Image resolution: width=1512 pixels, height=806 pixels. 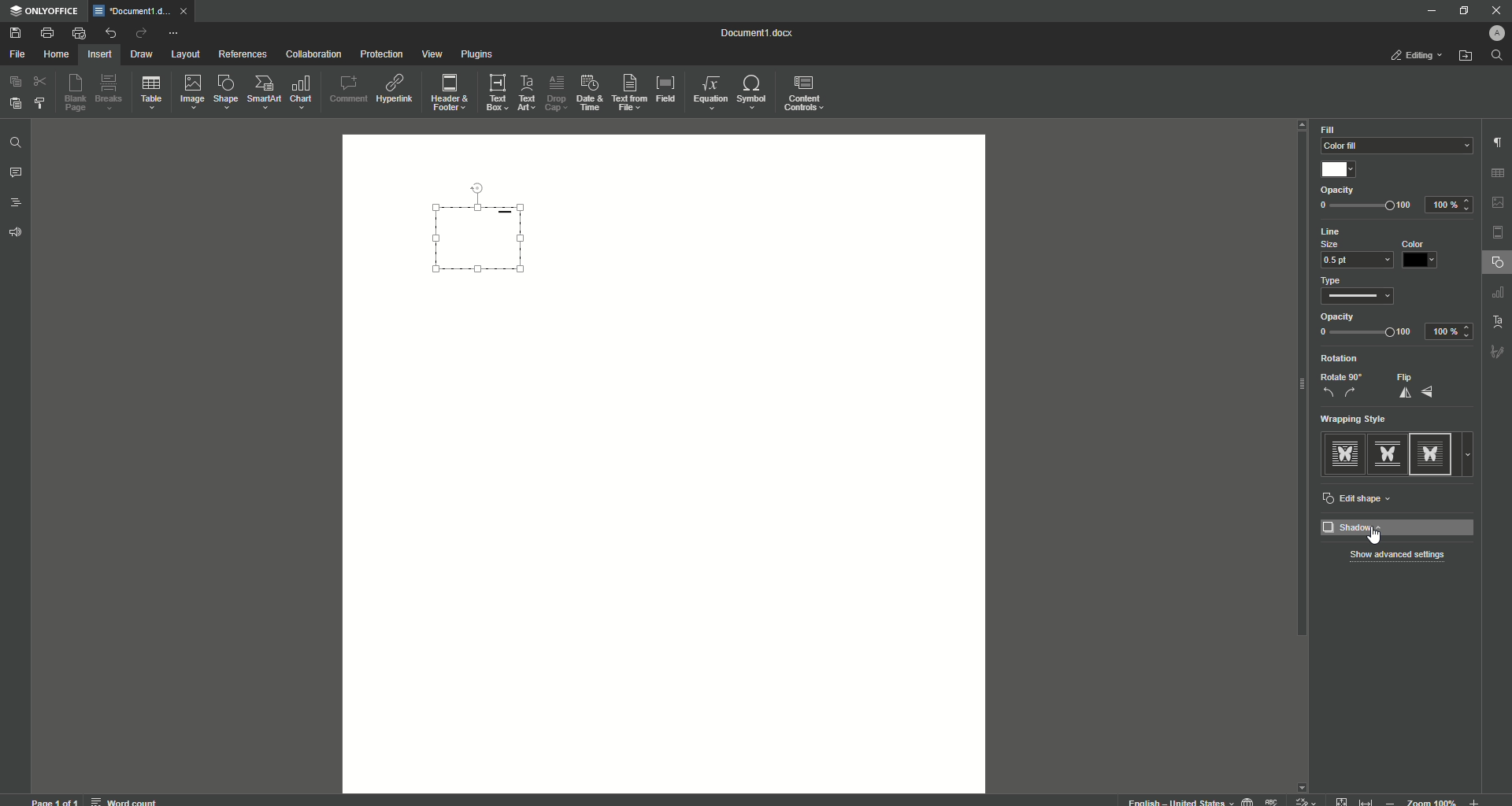 What do you see at coordinates (431, 55) in the screenshot?
I see `View` at bounding box center [431, 55].